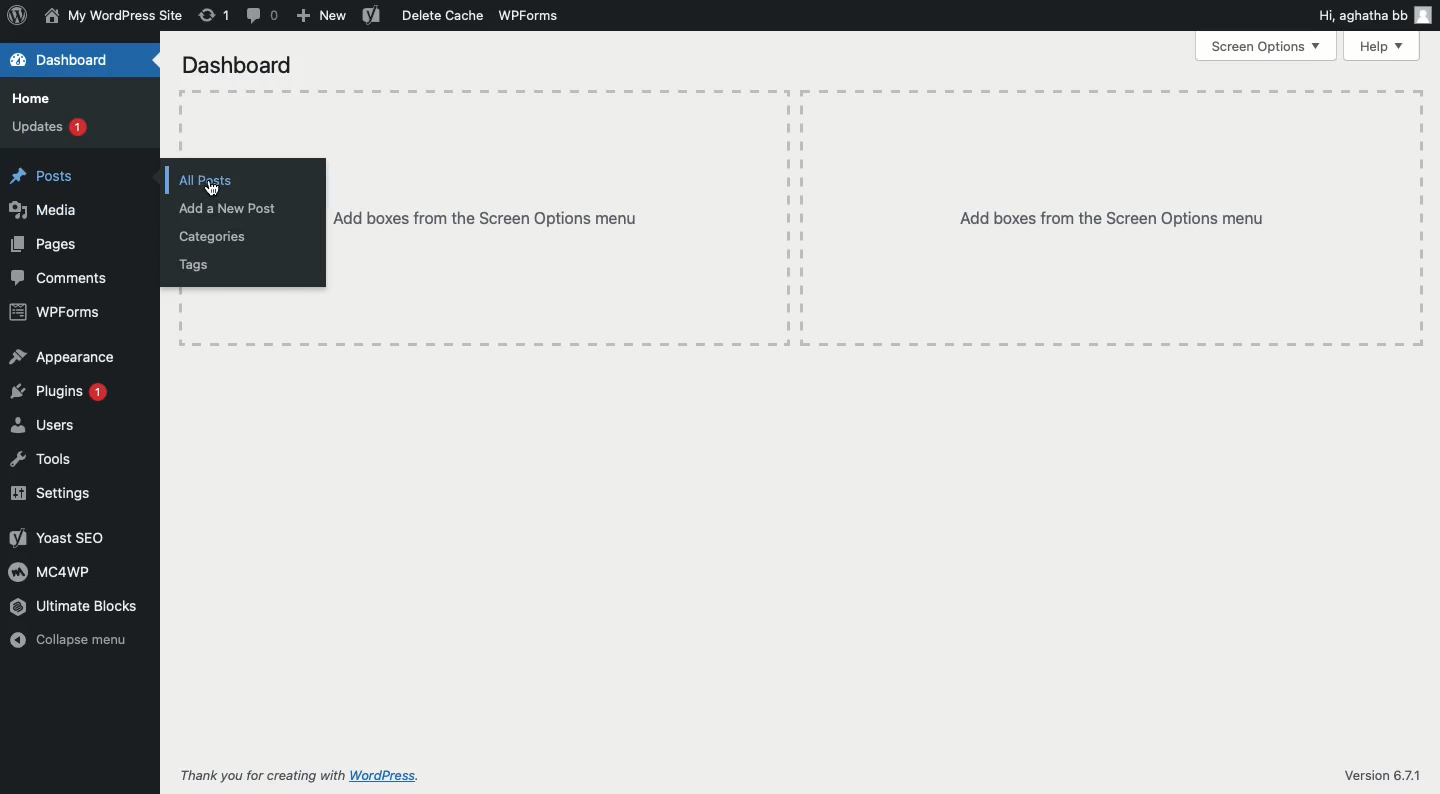  I want to click on Dashboard, so click(69, 60).